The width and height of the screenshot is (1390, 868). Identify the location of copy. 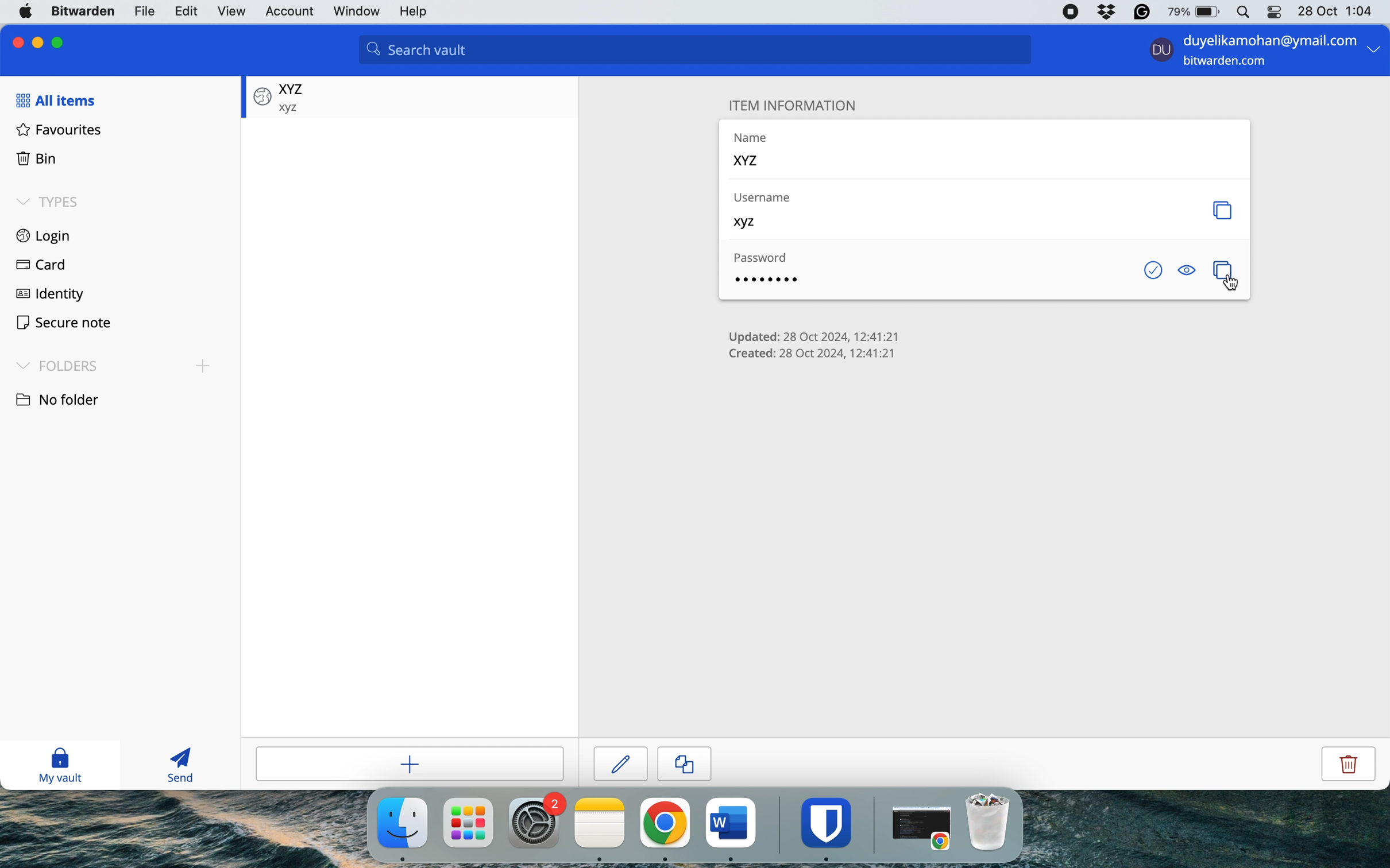
(1219, 266).